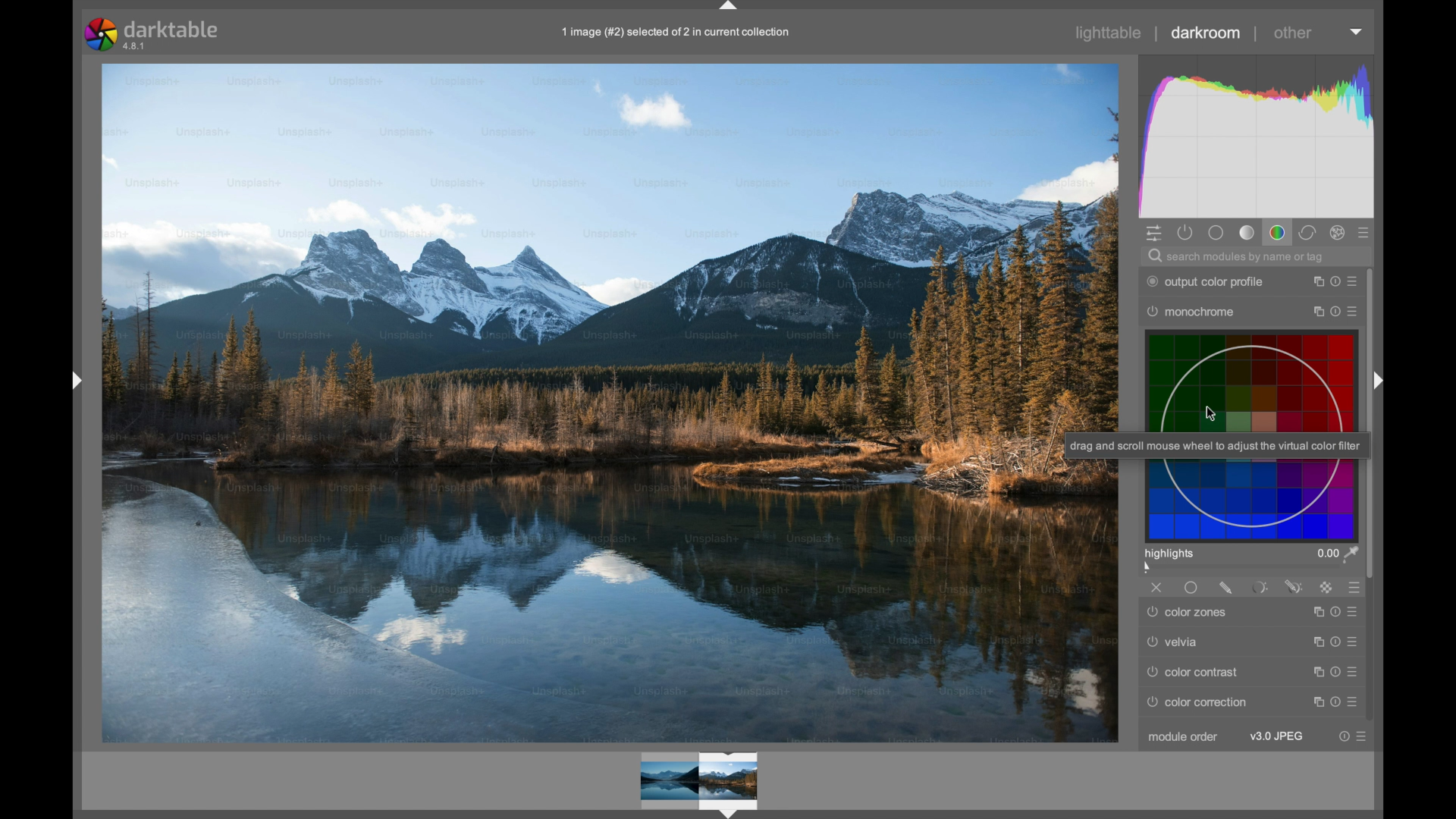 The width and height of the screenshot is (1456, 819). I want to click on preview, so click(701, 783).